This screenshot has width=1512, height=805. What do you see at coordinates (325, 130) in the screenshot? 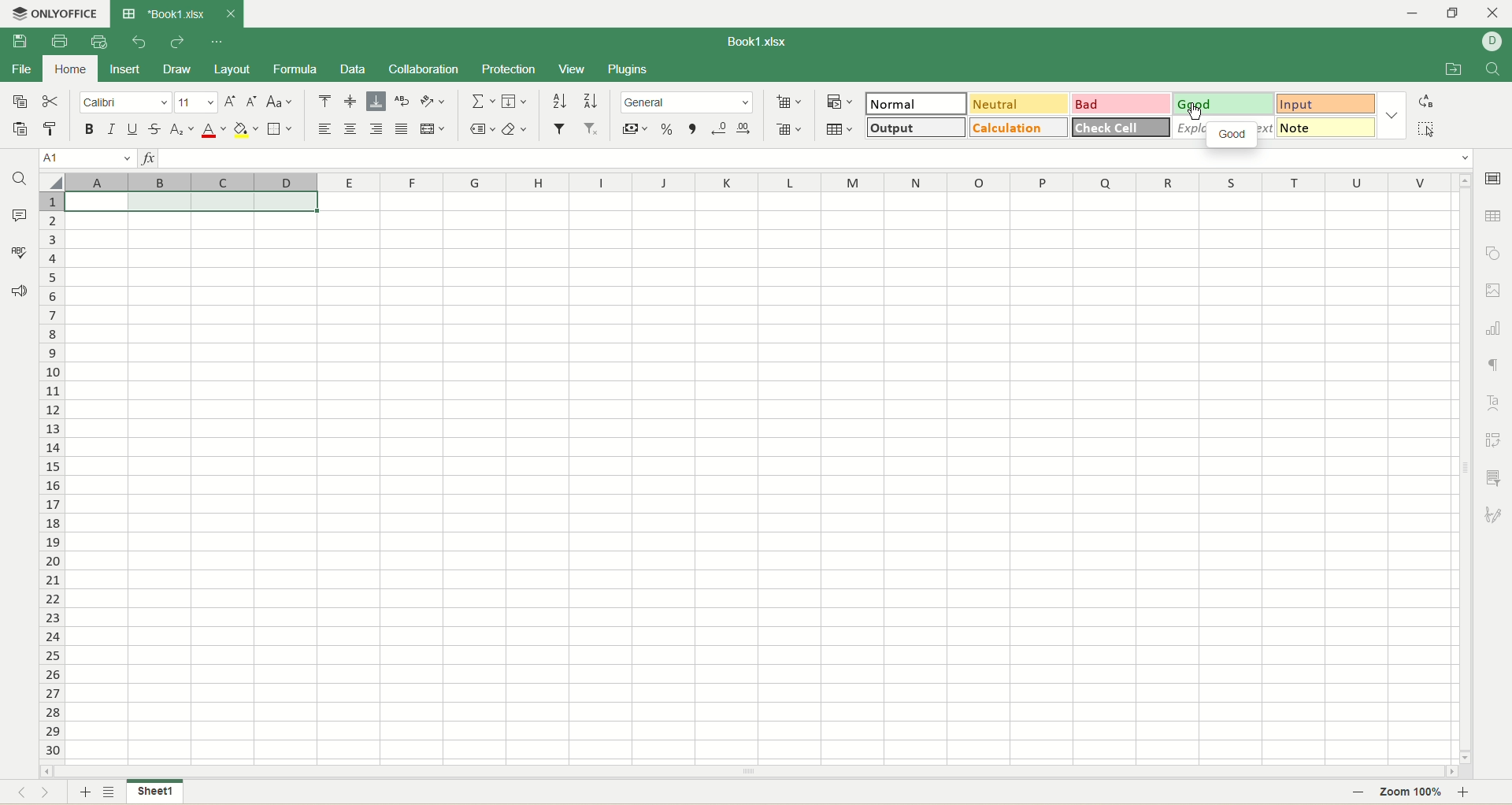
I see `align left` at bounding box center [325, 130].